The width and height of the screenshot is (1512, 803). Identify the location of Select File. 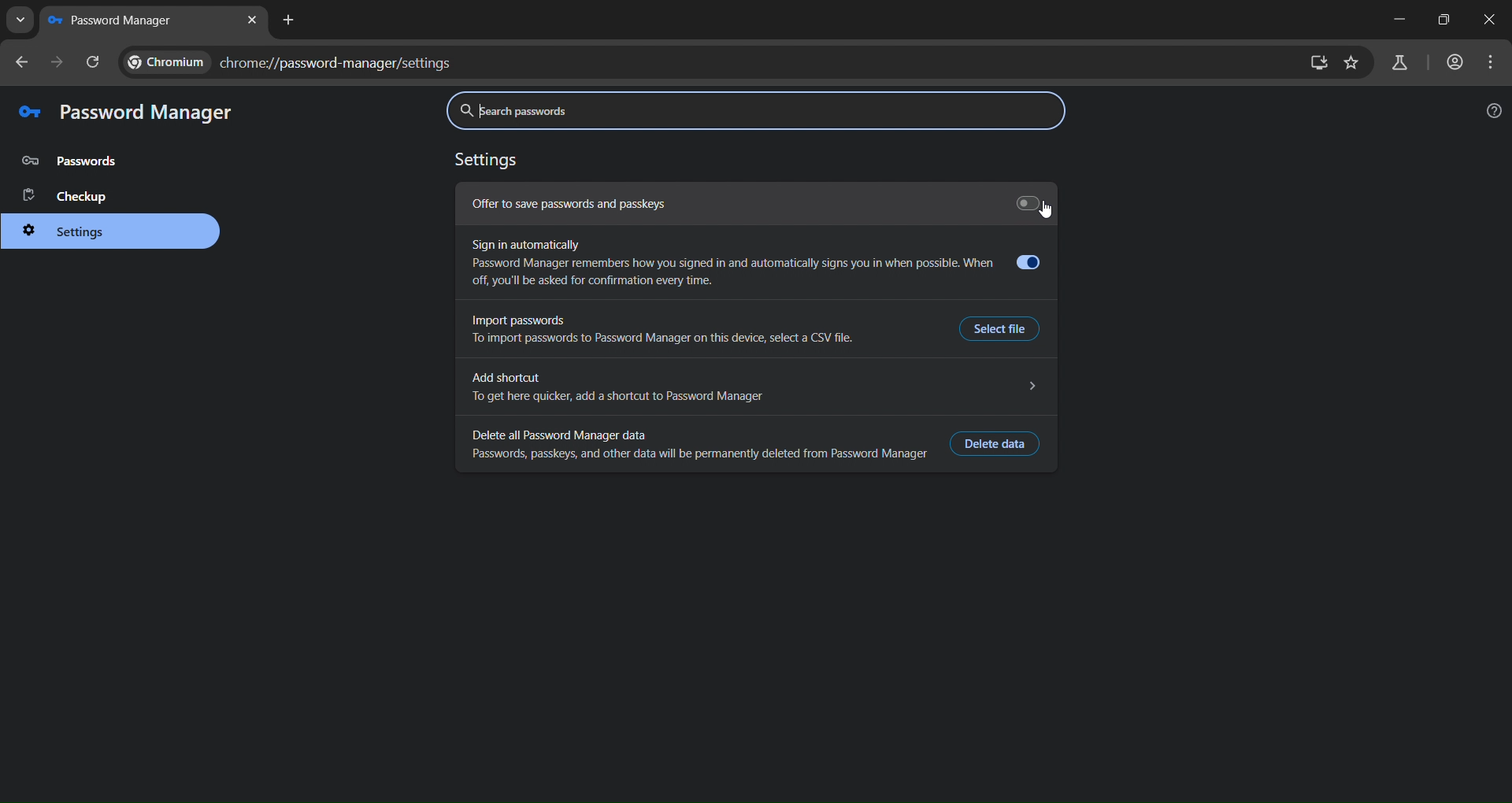
(997, 327).